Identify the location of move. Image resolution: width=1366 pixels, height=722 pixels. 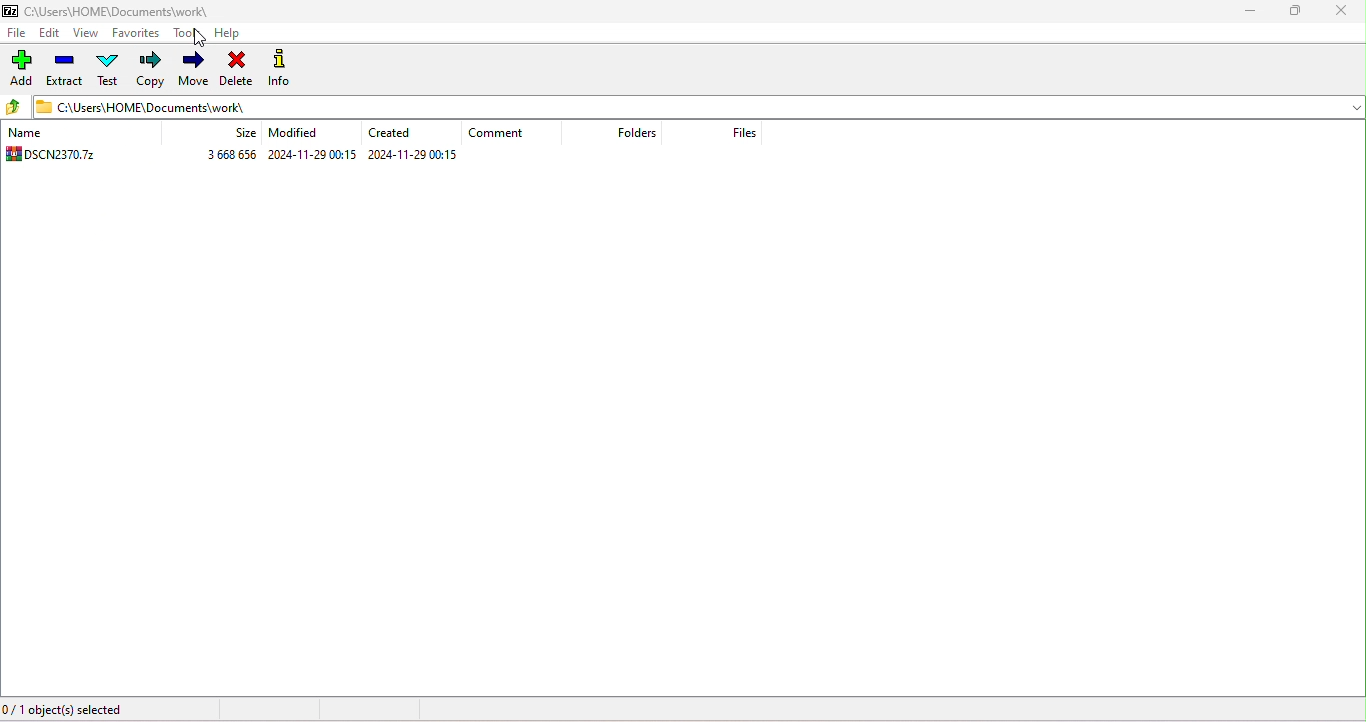
(193, 70).